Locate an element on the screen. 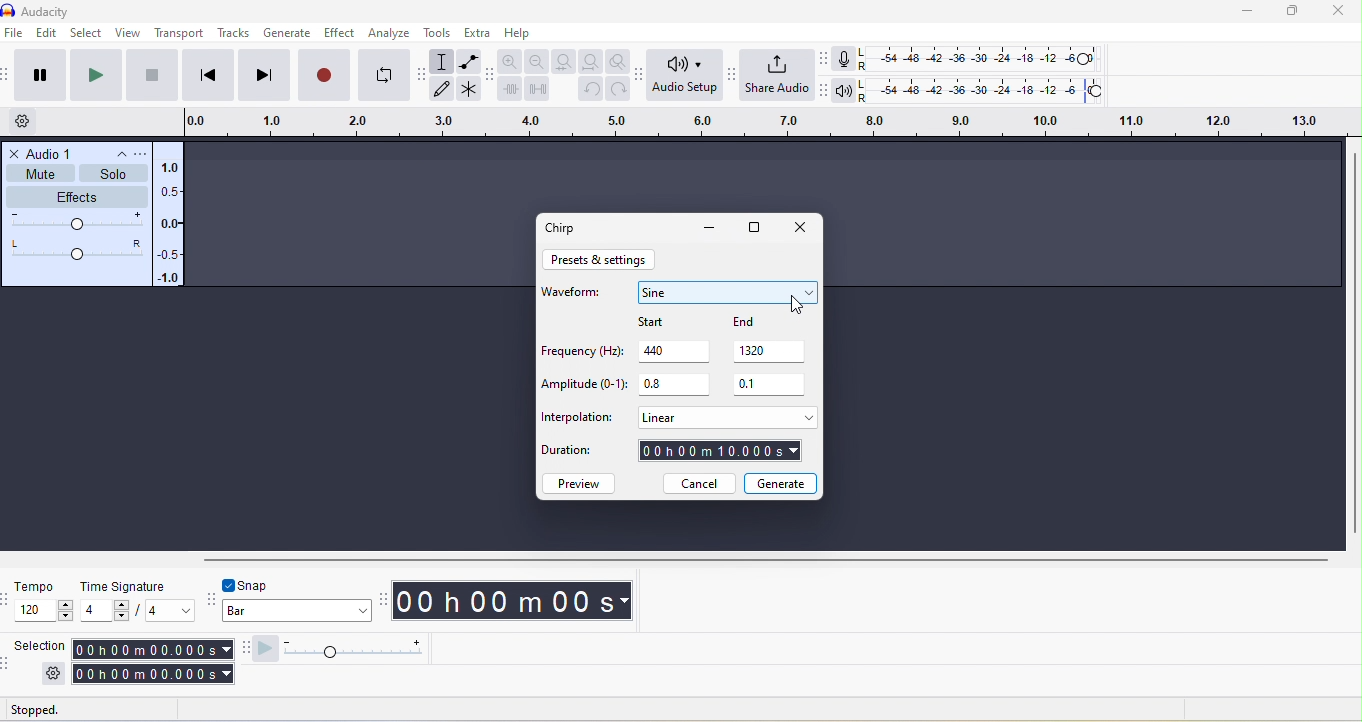 The image size is (1362, 722). interpolation: is located at coordinates (578, 418).